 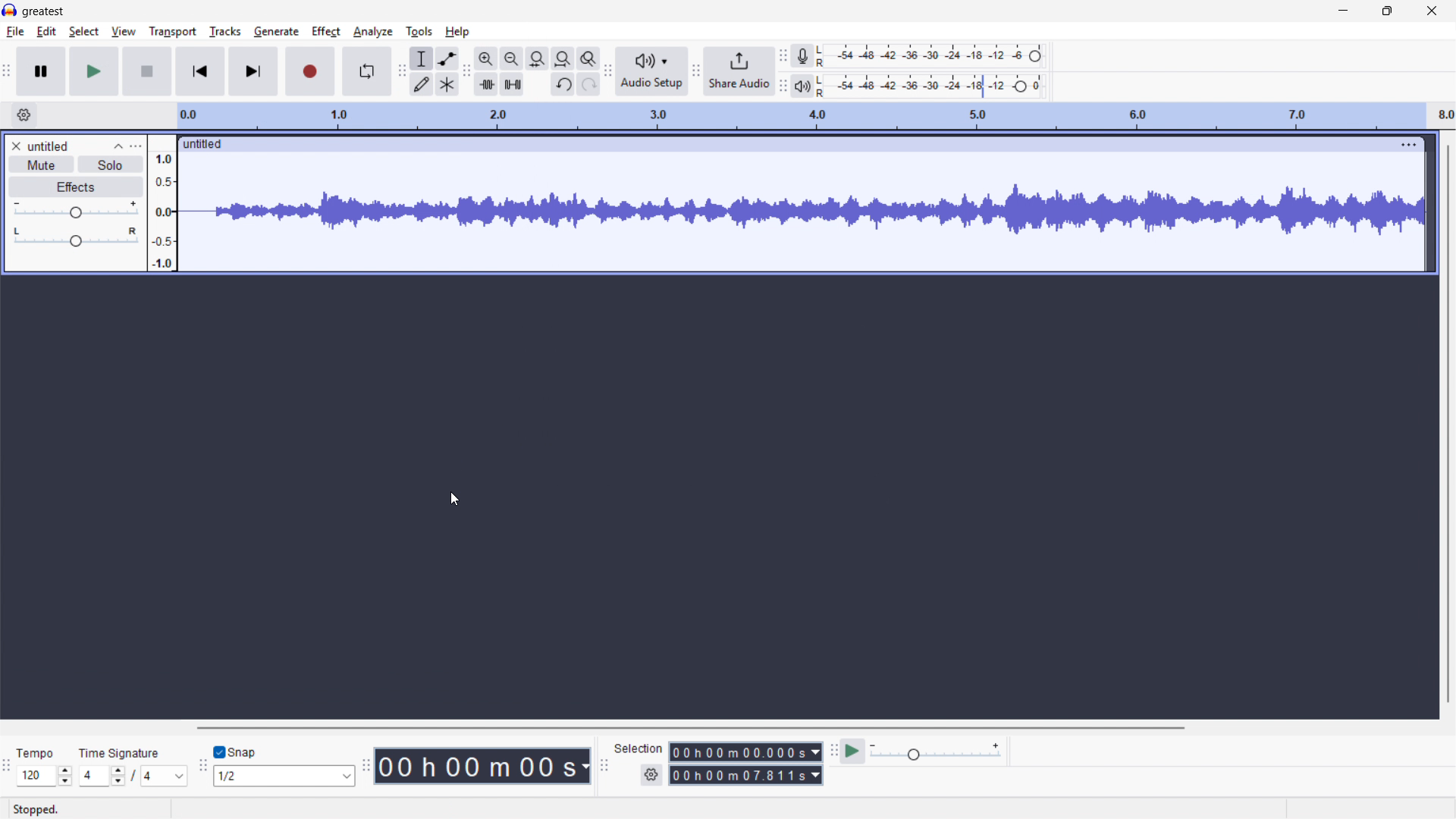 I want to click on set time signature, so click(x=133, y=776).